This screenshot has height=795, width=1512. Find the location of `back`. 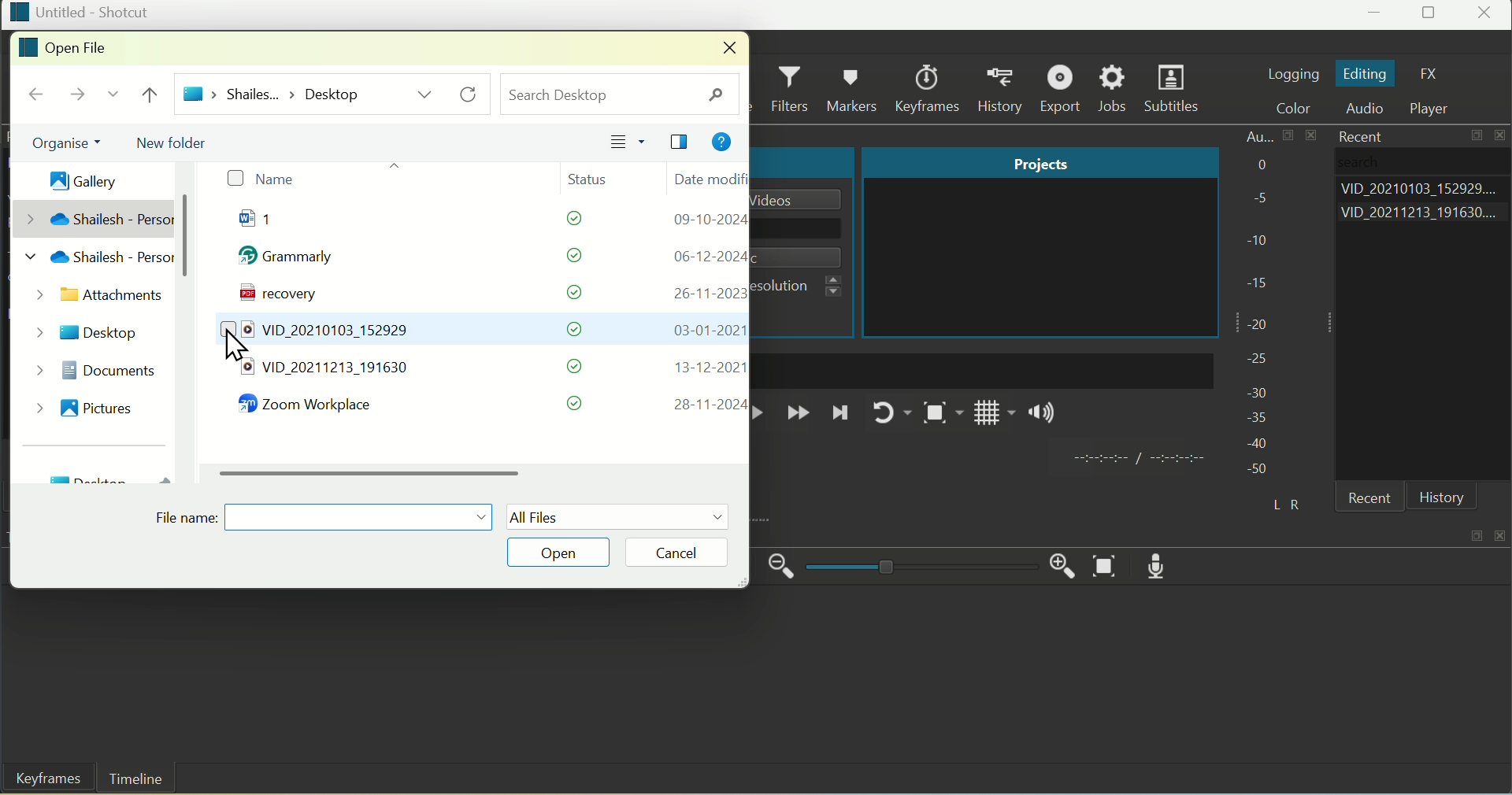

back is located at coordinates (36, 95).